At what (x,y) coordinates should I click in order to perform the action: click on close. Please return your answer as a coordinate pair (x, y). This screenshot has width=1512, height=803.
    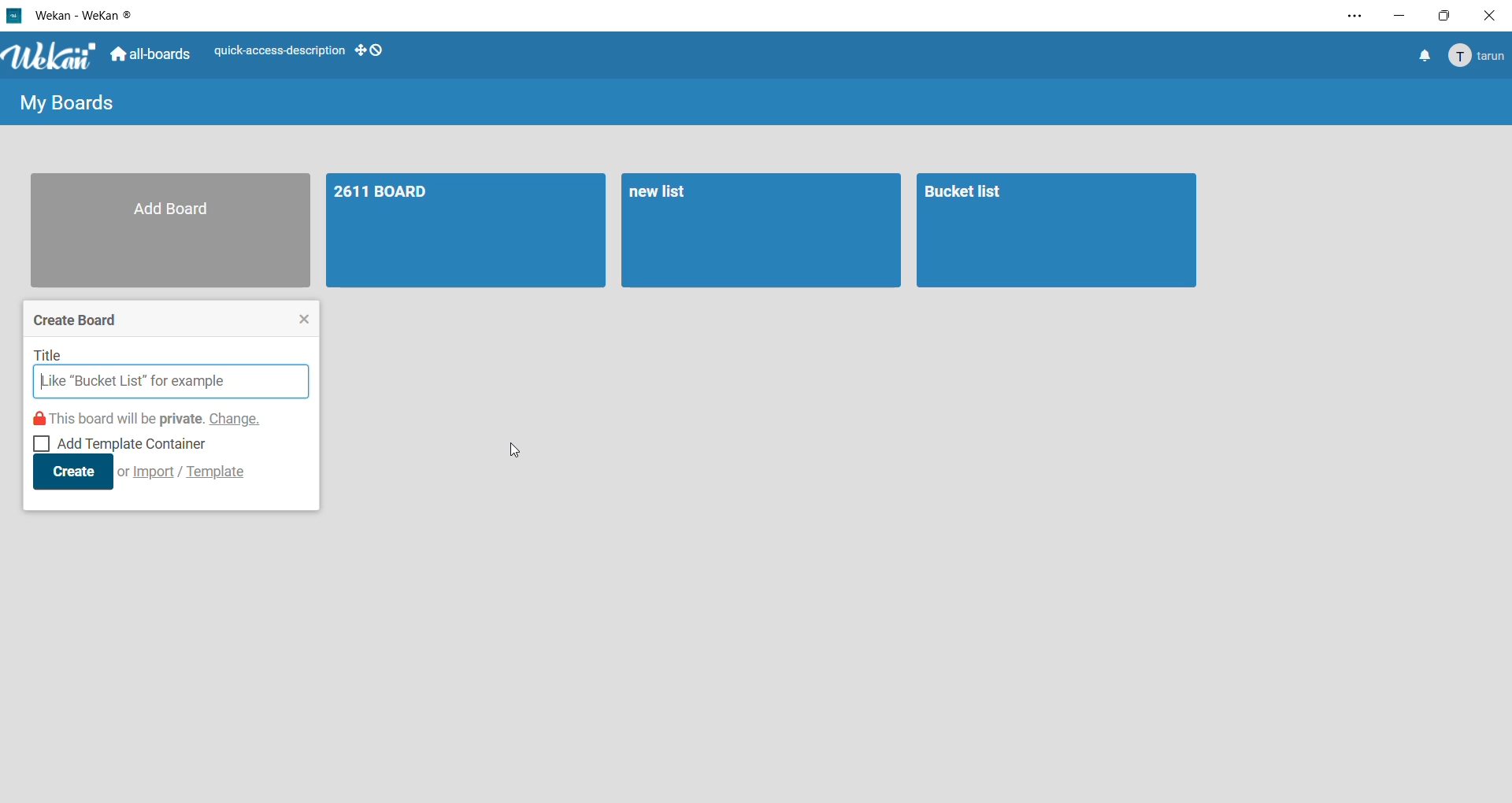
    Looking at the image, I should click on (306, 319).